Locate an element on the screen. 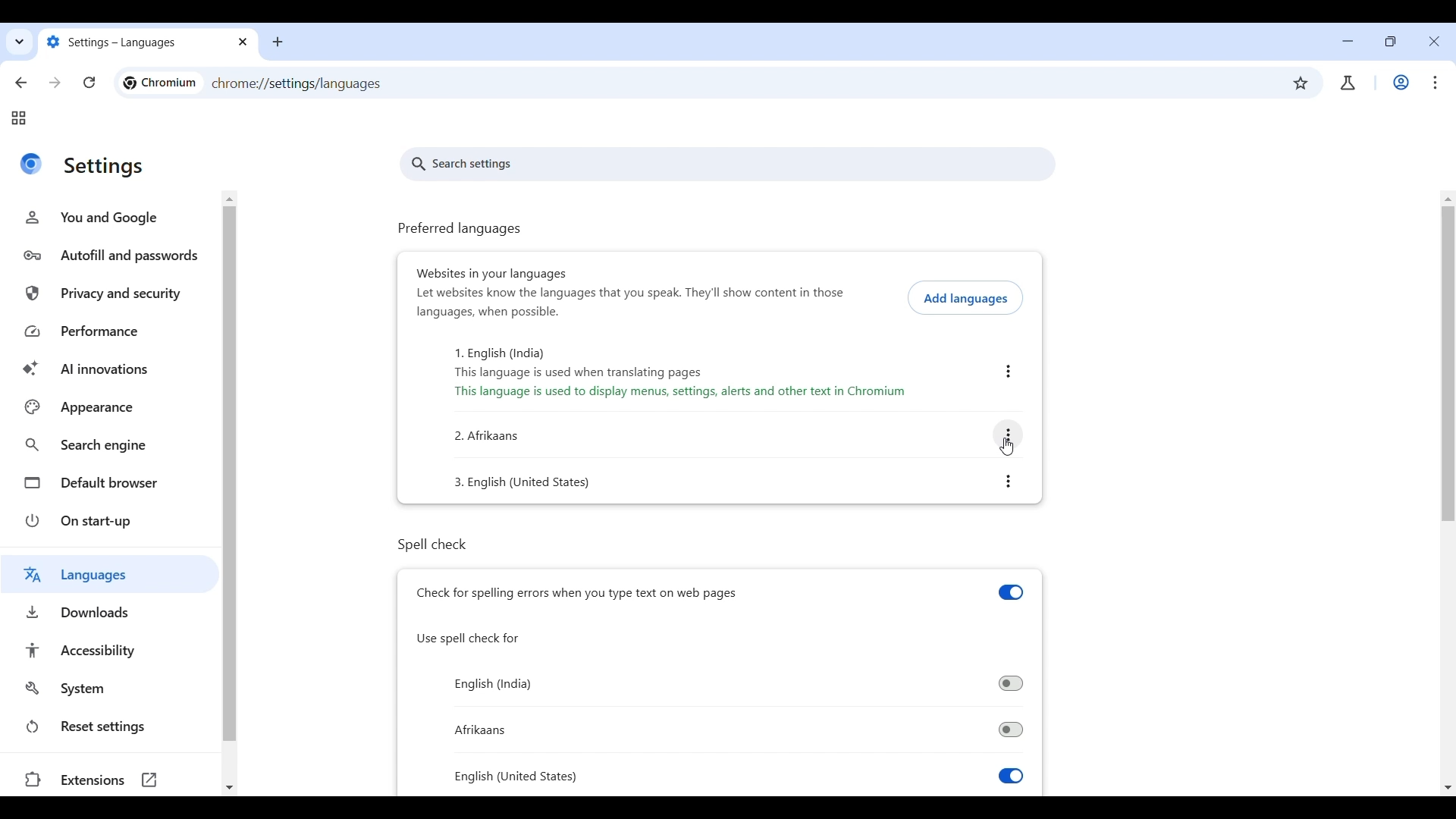  Accessibility is located at coordinates (115, 650).